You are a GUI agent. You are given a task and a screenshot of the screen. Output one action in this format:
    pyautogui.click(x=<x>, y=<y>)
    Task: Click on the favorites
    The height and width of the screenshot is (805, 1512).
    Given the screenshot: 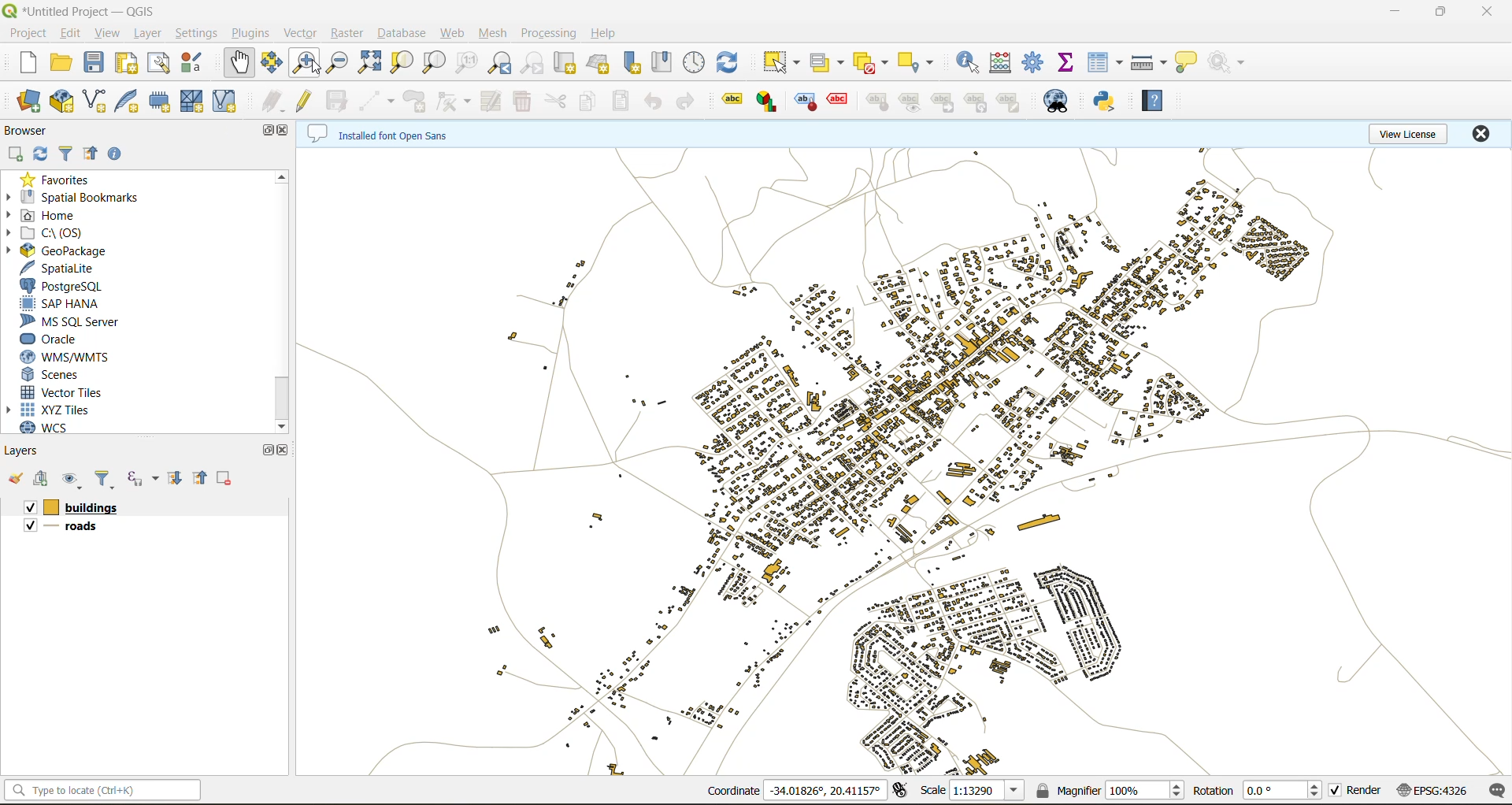 What is the action you would take?
    pyautogui.click(x=61, y=180)
    